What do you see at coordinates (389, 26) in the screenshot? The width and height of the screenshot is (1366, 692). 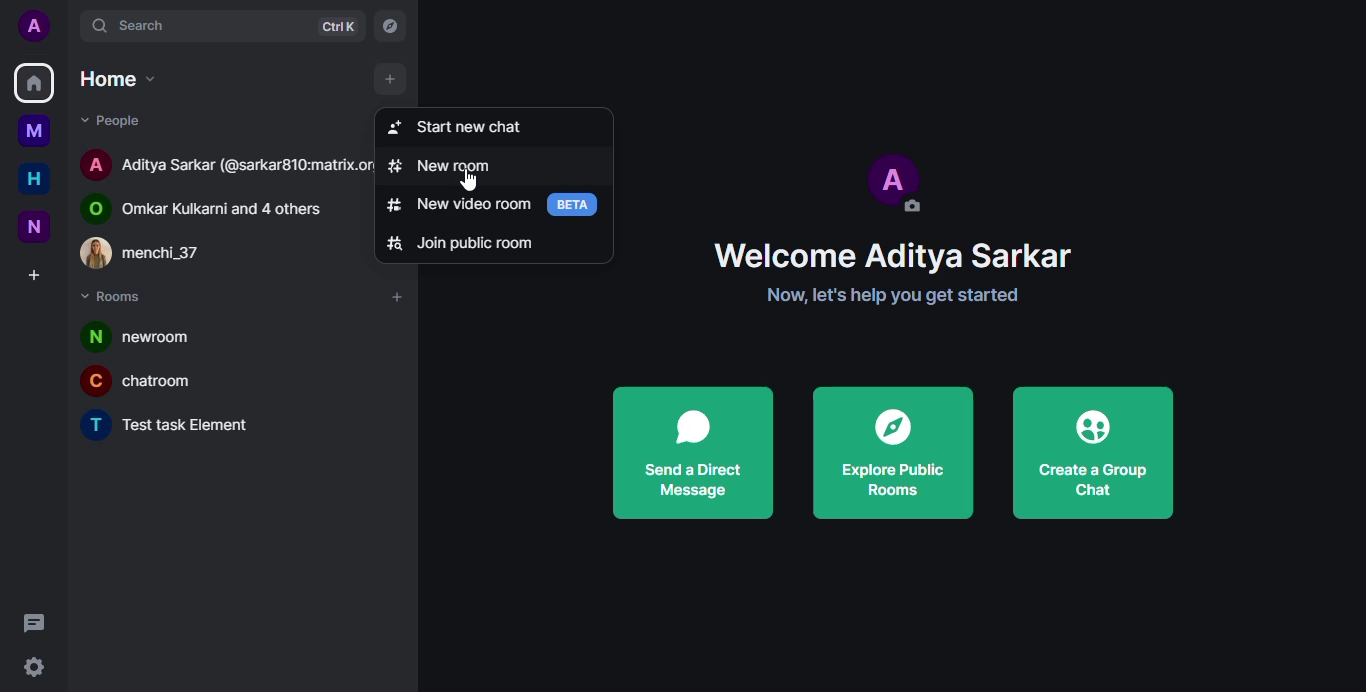 I see `explore rooms` at bounding box center [389, 26].